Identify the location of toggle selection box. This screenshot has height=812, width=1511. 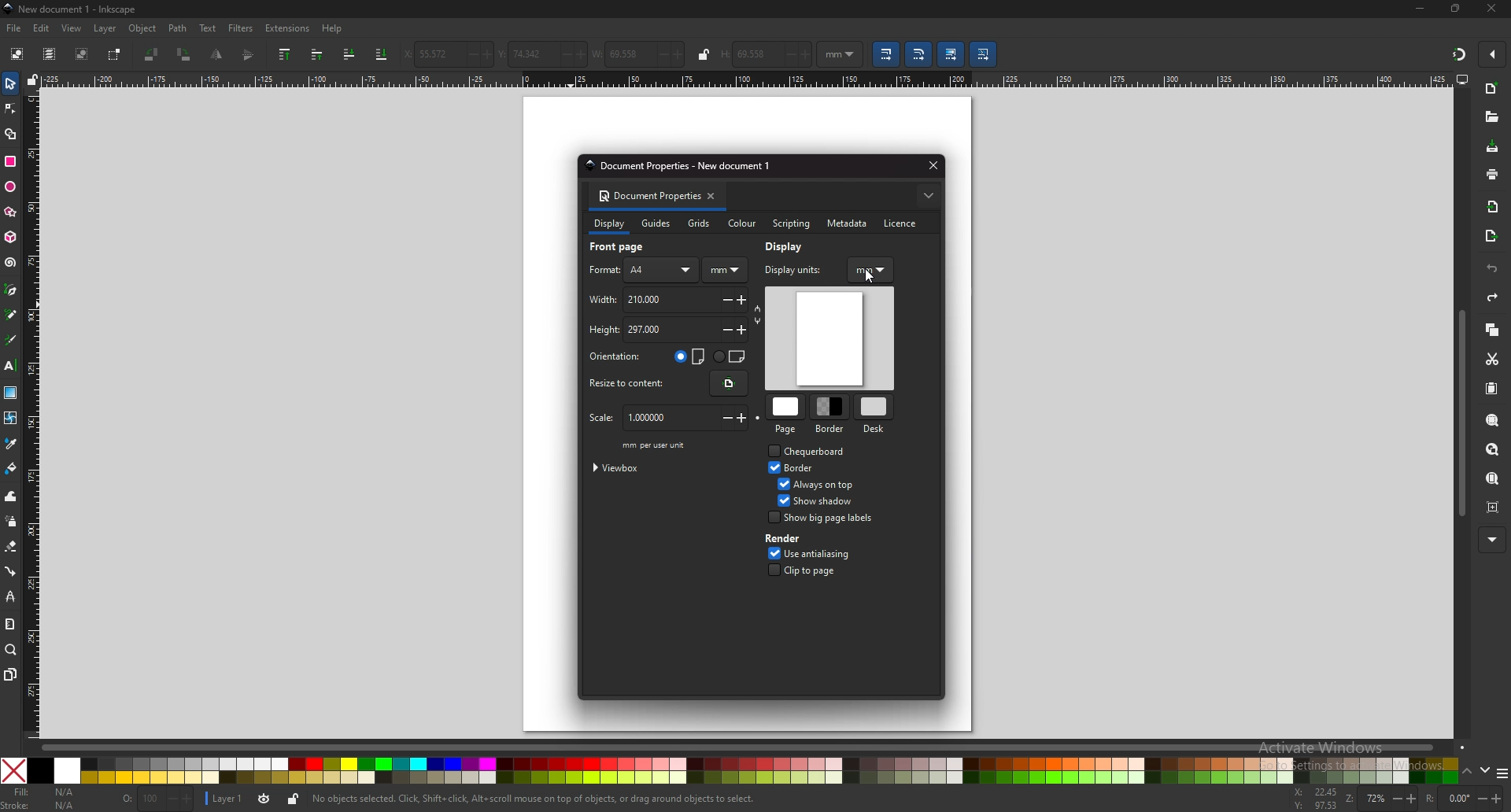
(115, 54).